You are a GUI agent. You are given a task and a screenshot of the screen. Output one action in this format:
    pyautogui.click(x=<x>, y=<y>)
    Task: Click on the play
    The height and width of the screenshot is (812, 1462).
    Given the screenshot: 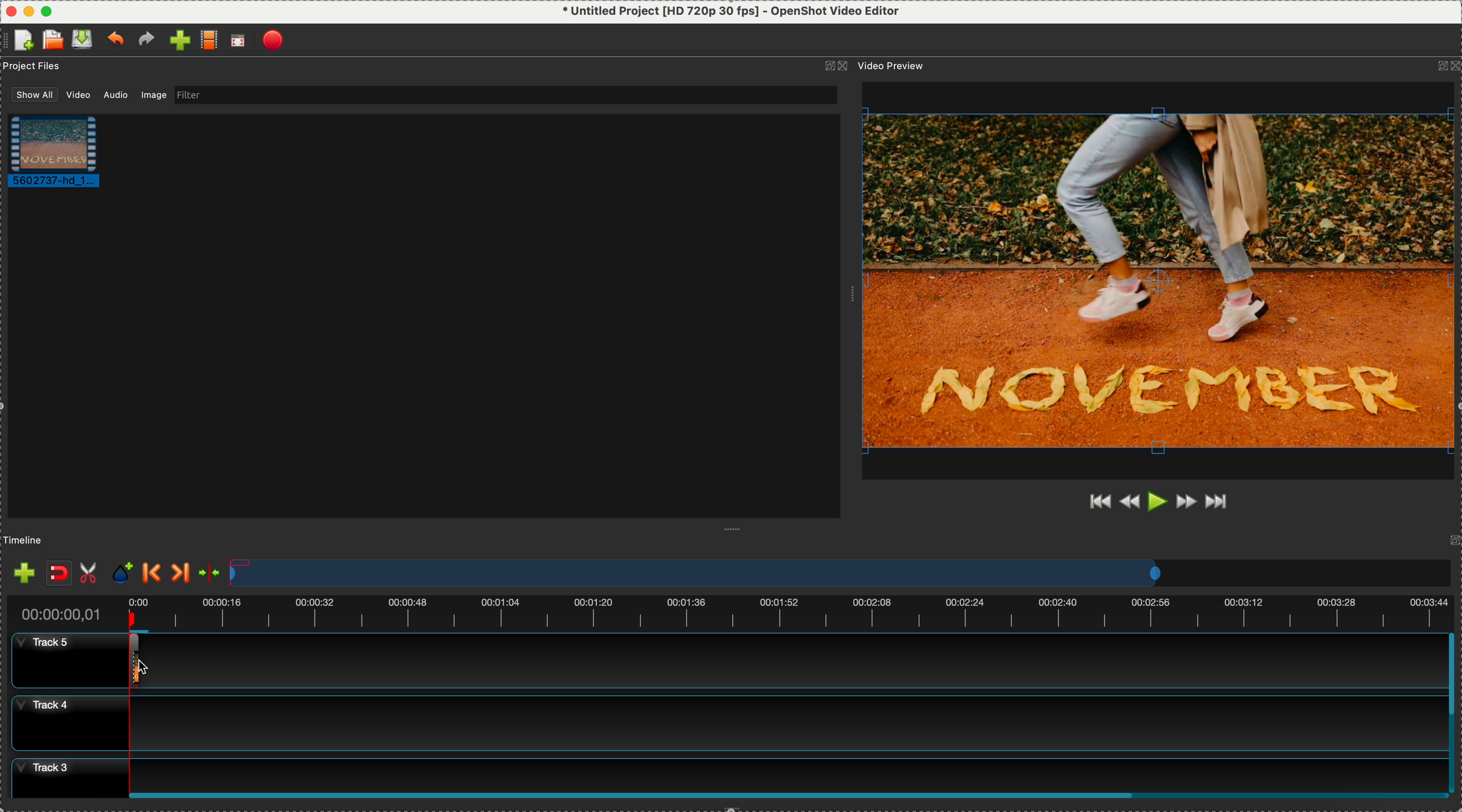 What is the action you would take?
    pyautogui.click(x=1158, y=502)
    